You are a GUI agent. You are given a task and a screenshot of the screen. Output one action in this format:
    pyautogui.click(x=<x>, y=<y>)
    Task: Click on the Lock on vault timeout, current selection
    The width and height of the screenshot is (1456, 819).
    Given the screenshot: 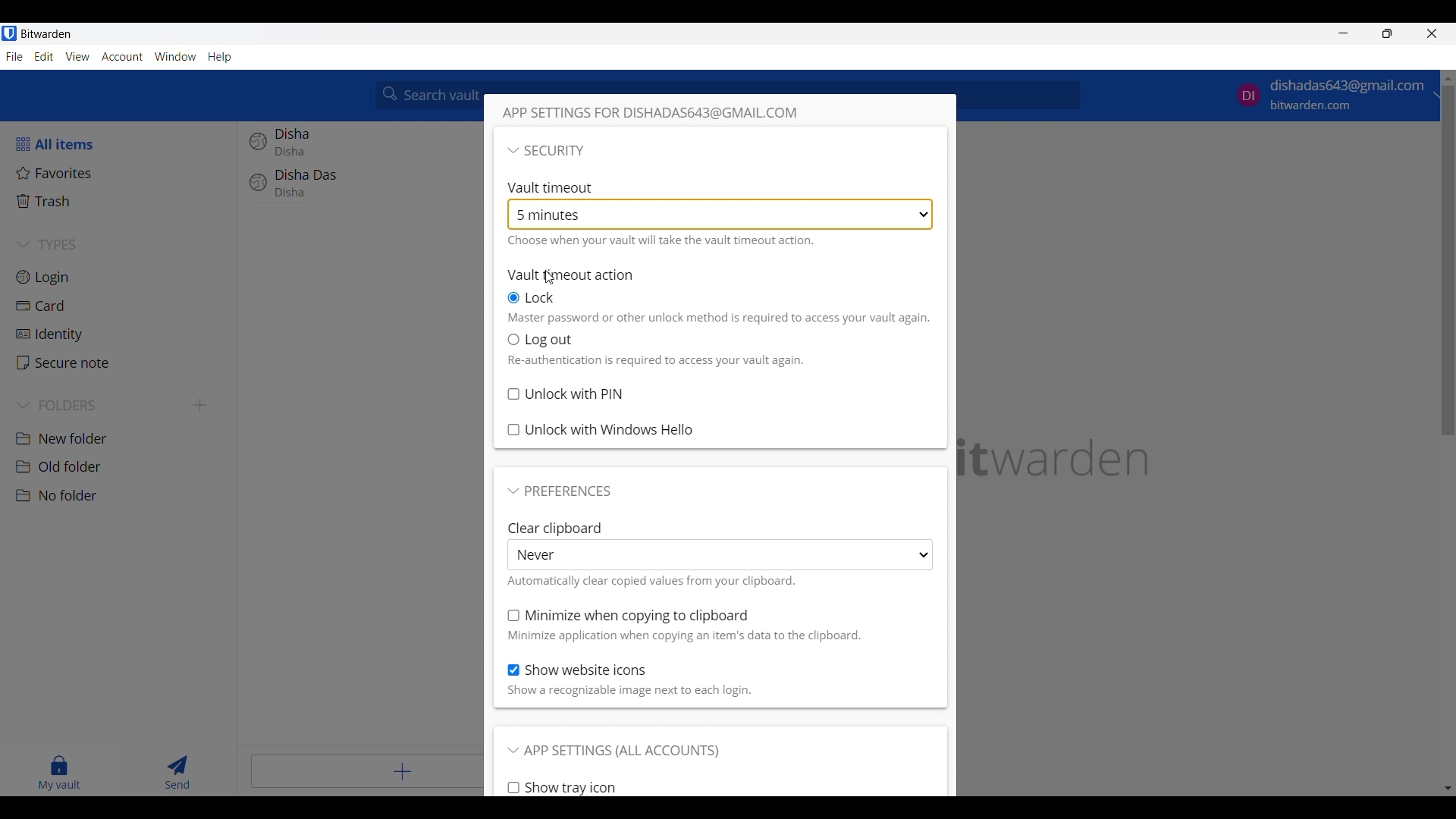 What is the action you would take?
    pyautogui.click(x=534, y=298)
    